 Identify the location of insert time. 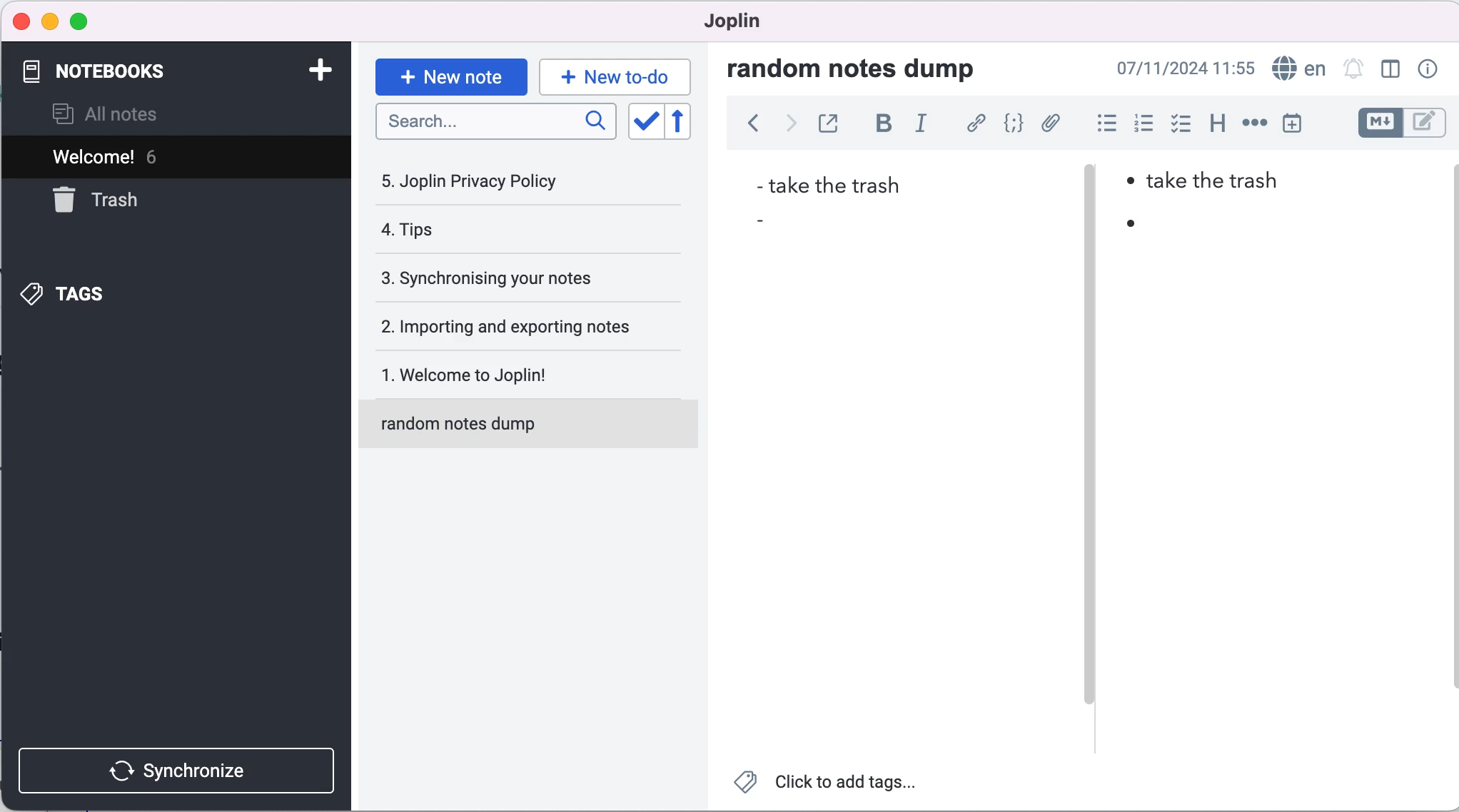
(1301, 123).